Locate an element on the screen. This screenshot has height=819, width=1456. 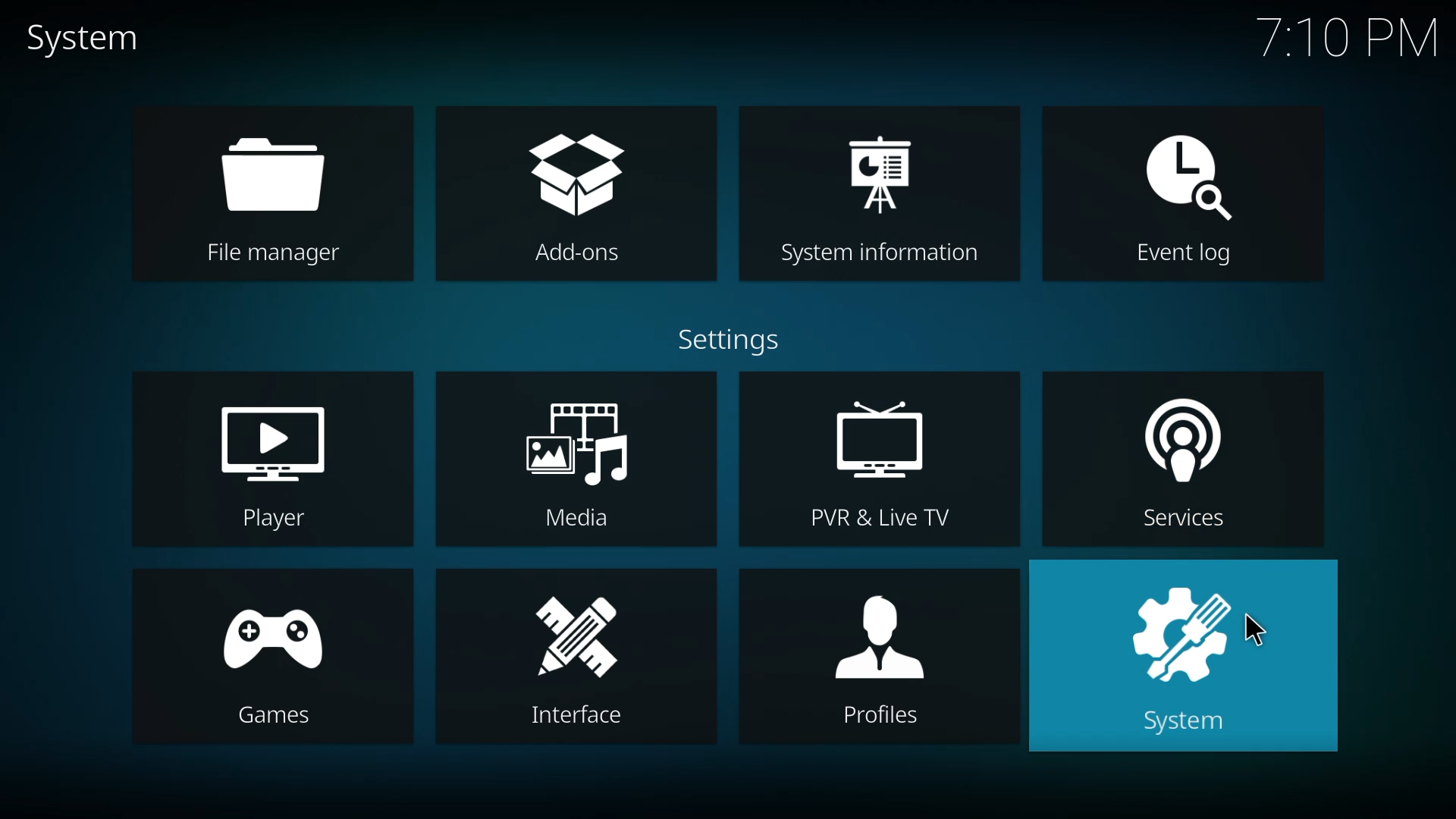
pvr & live tv is located at coordinates (886, 468).